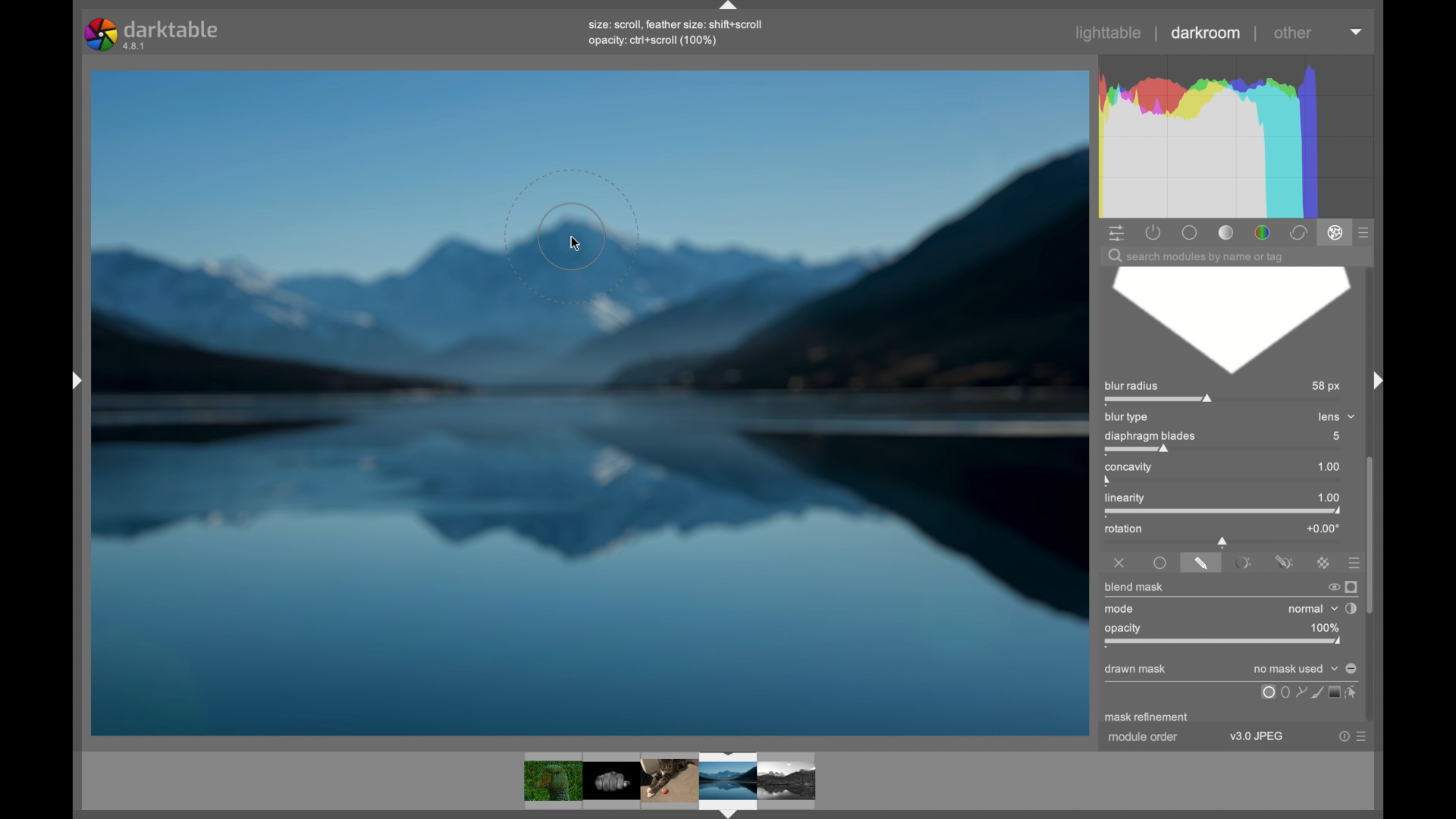 The width and height of the screenshot is (1456, 819). What do you see at coordinates (1223, 541) in the screenshot?
I see `slider` at bounding box center [1223, 541].